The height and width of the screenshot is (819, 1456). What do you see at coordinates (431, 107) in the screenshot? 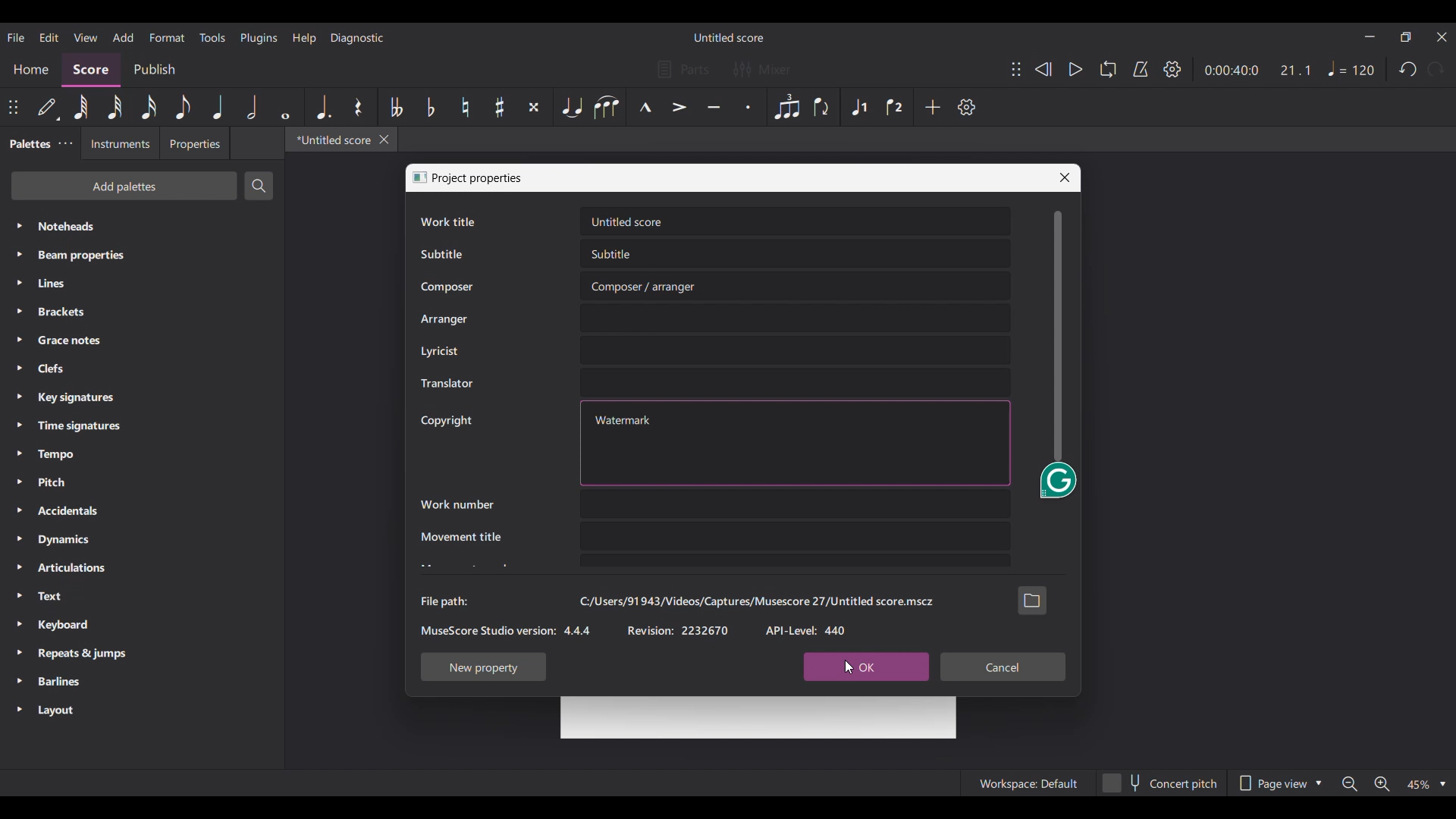
I see `Toggle flat` at bounding box center [431, 107].